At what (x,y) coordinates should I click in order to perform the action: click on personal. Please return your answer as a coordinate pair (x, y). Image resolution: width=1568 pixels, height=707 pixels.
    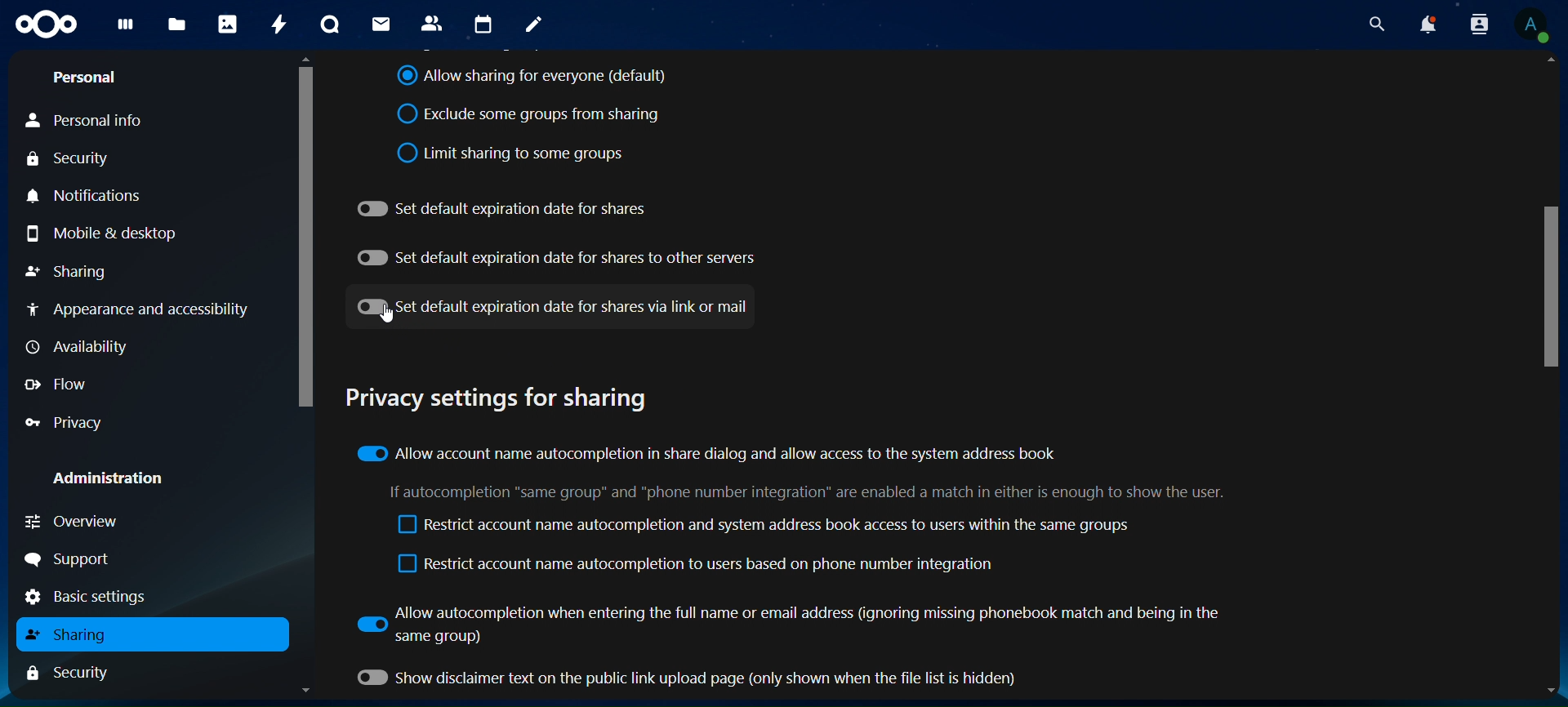
    Looking at the image, I should click on (87, 78).